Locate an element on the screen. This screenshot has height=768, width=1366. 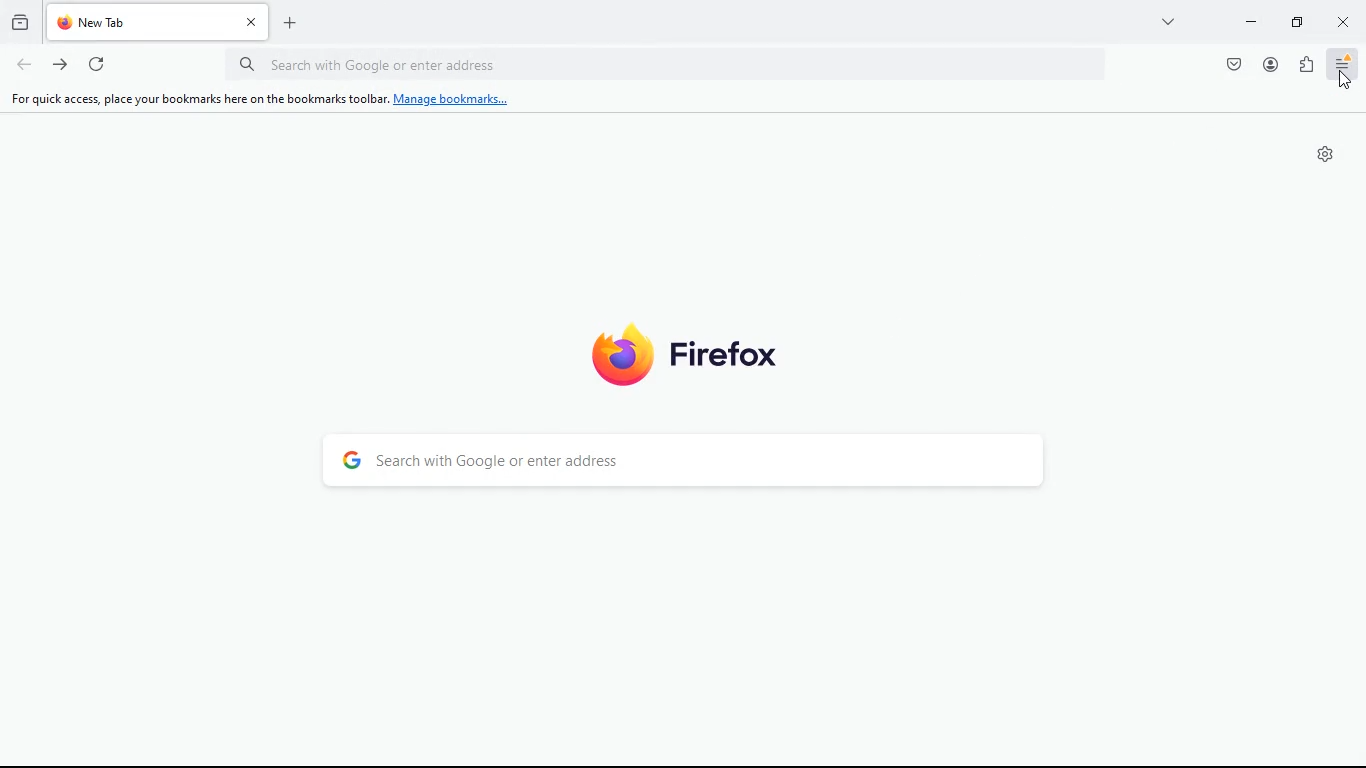
forward is located at coordinates (62, 67).